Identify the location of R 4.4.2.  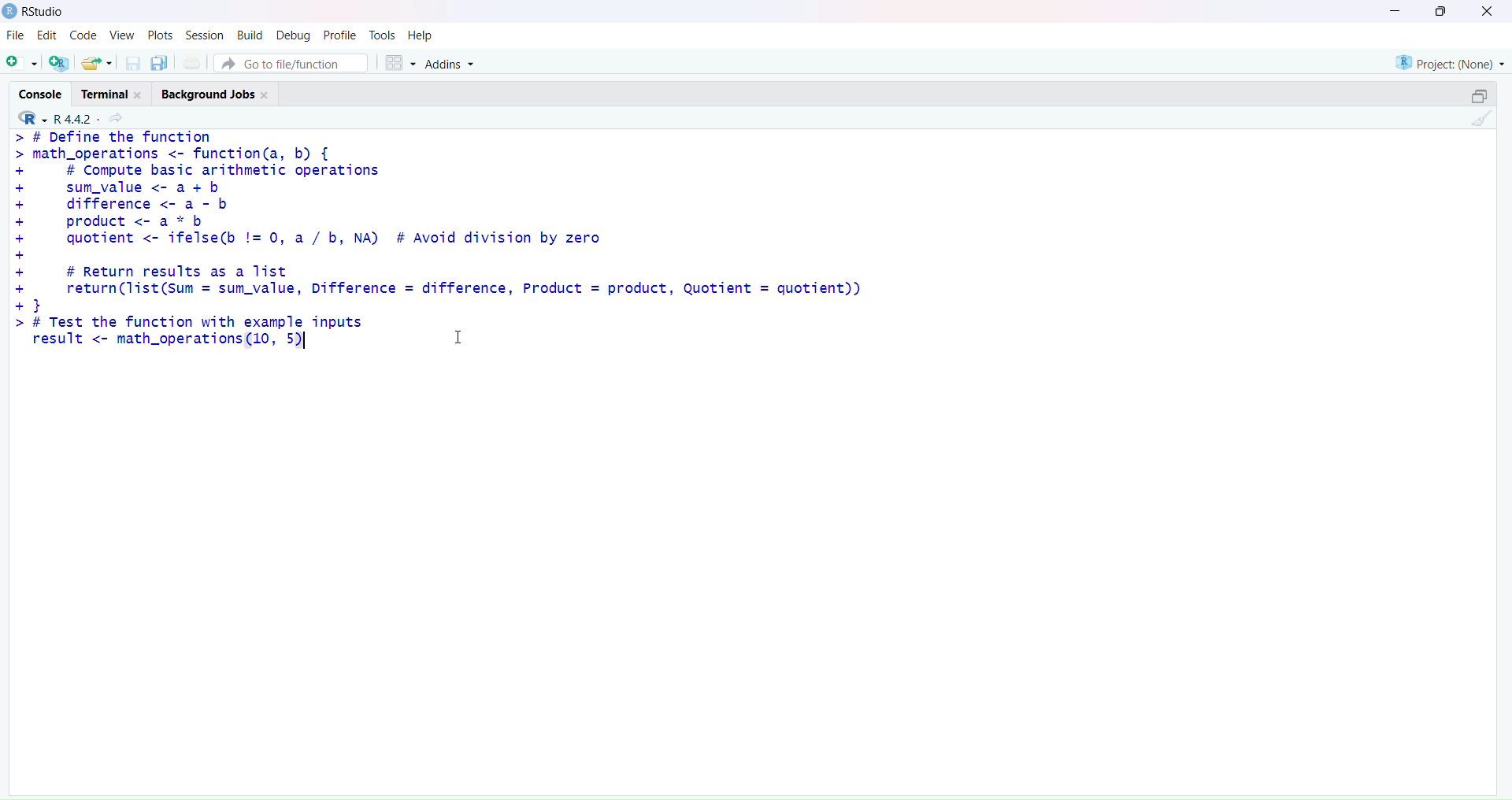
(72, 118).